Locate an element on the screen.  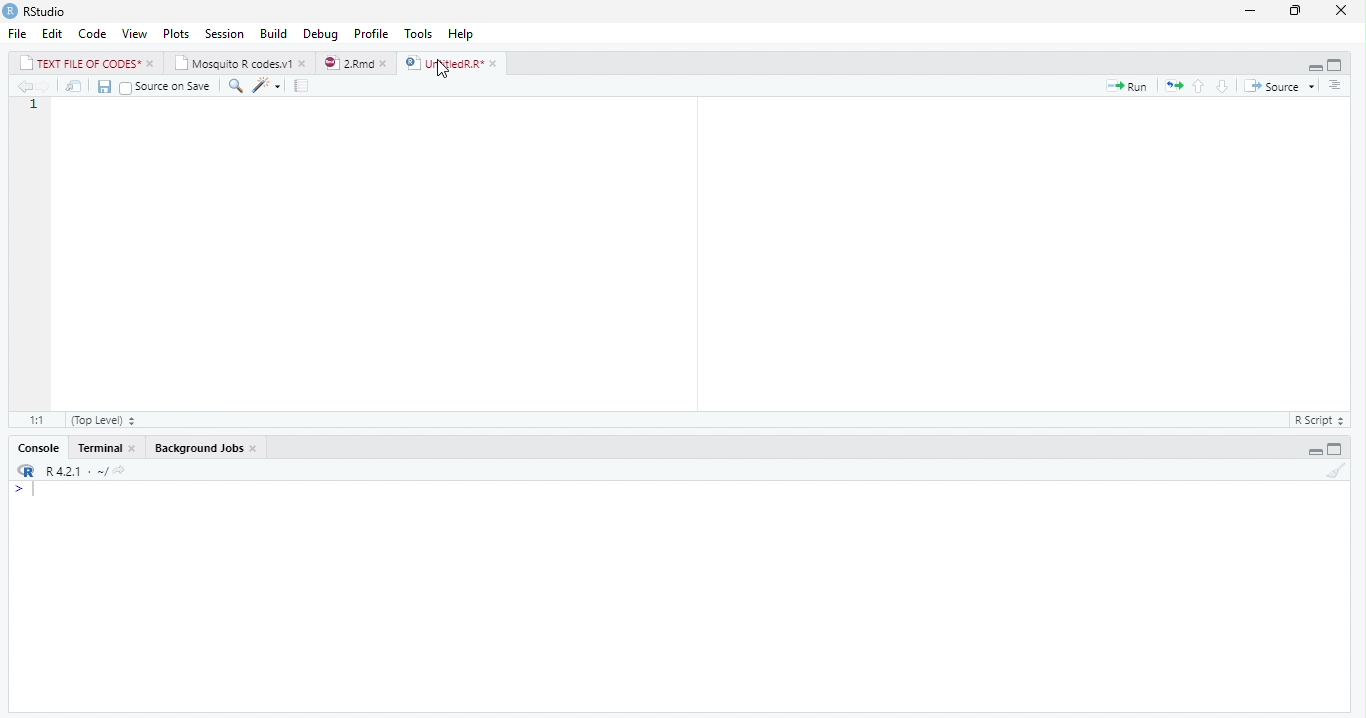
Previous section is located at coordinates (1337, 87).